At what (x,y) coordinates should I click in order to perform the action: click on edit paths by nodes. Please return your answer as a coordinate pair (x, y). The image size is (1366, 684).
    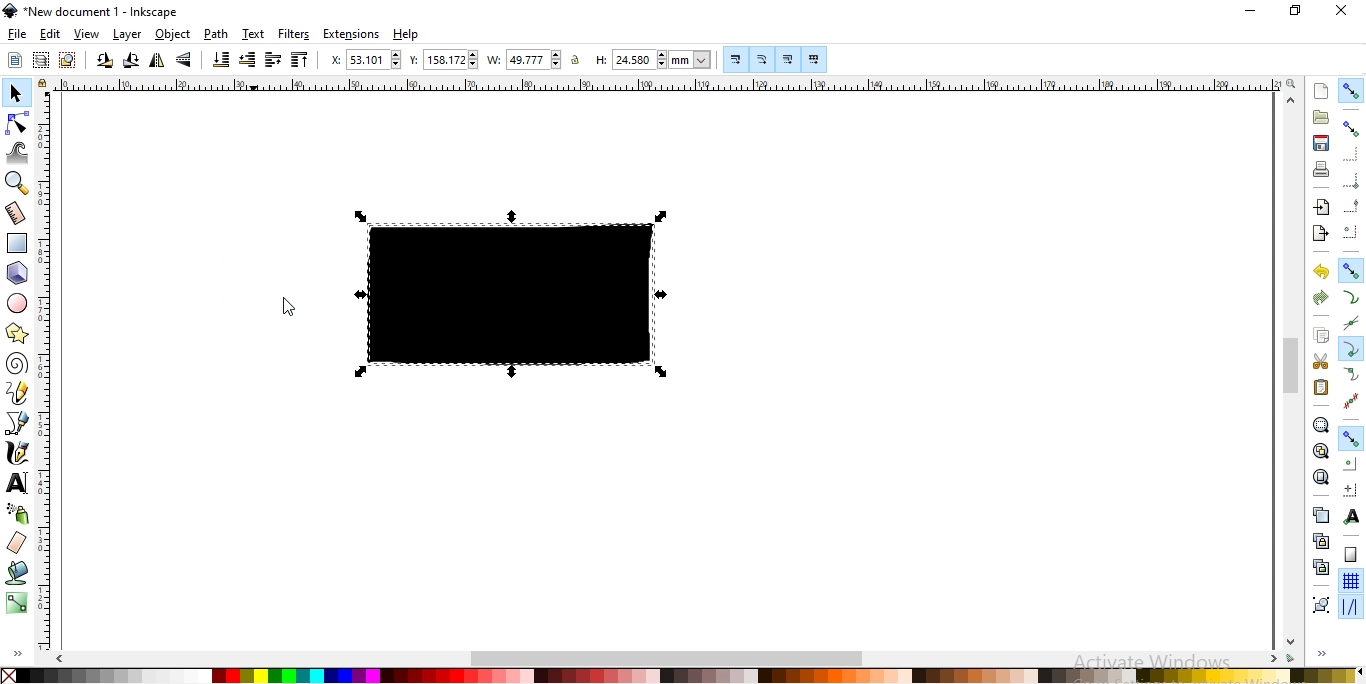
    Looking at the image, I should click on (18, 124).